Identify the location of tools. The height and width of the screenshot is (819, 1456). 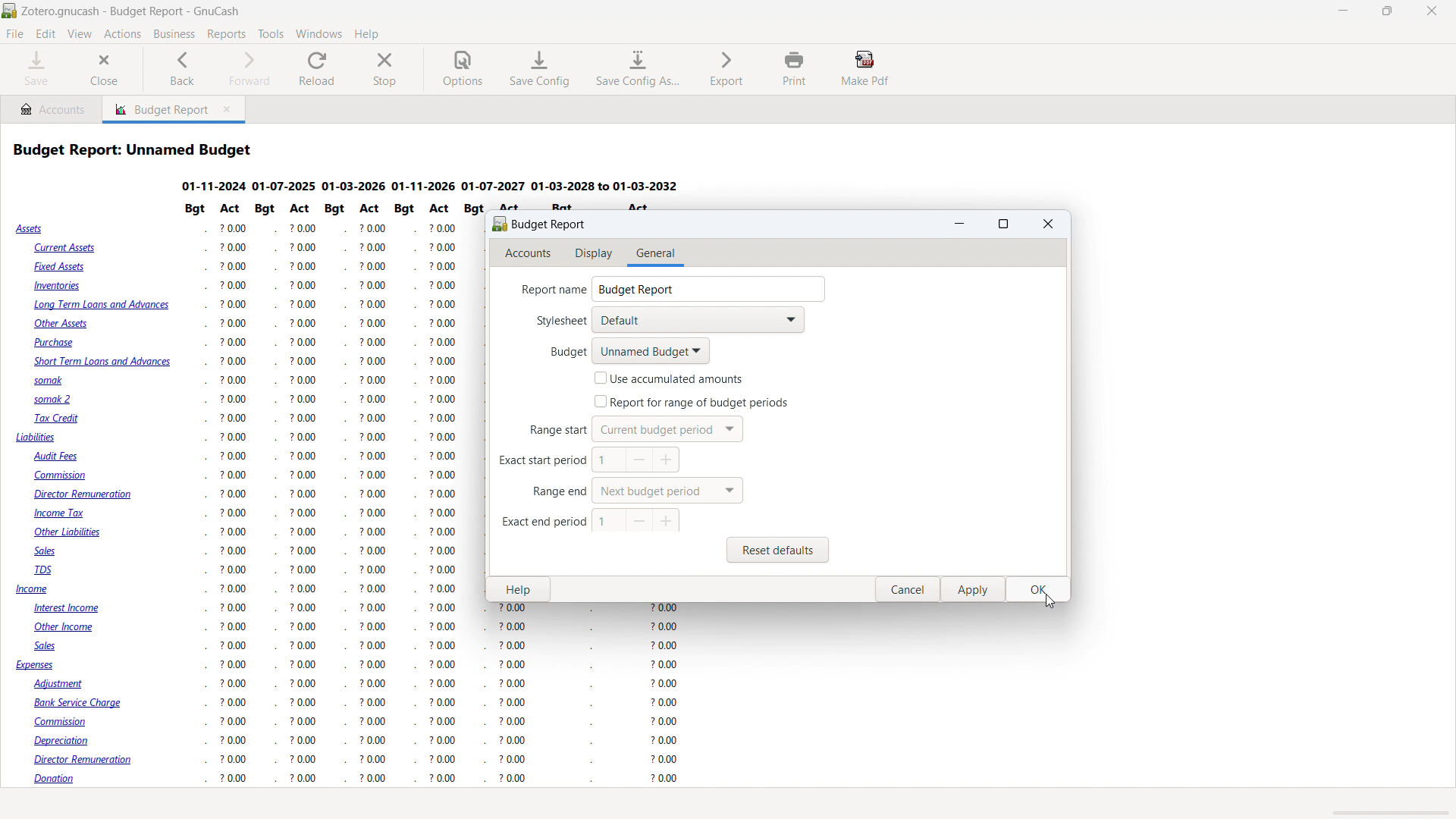
(271, 34).